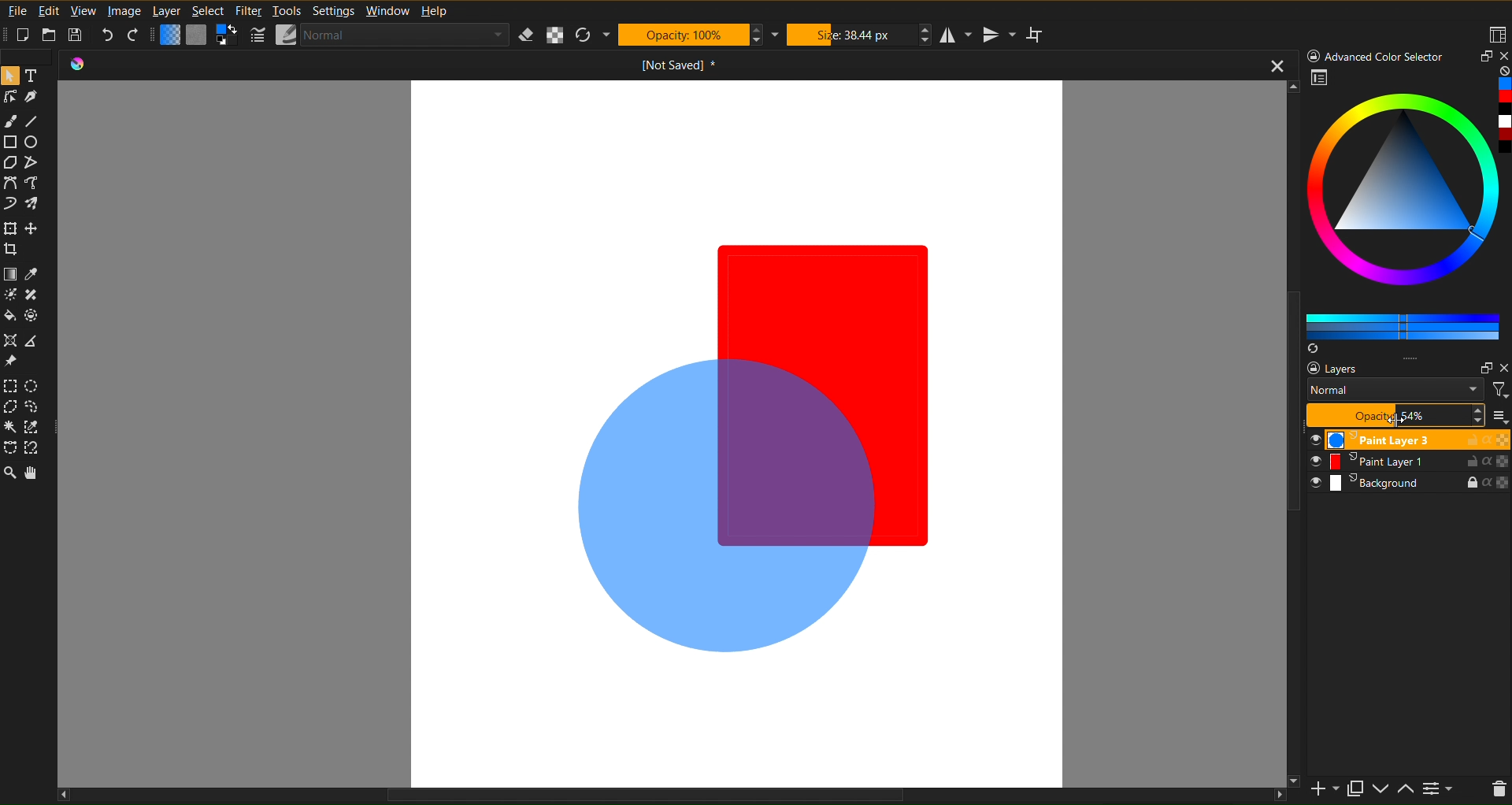 Image resolution: width=1512 pixels, height=805 pixels. Describe the element at coordinates (50, 35) in the screenshot. I see `Open` at that location.